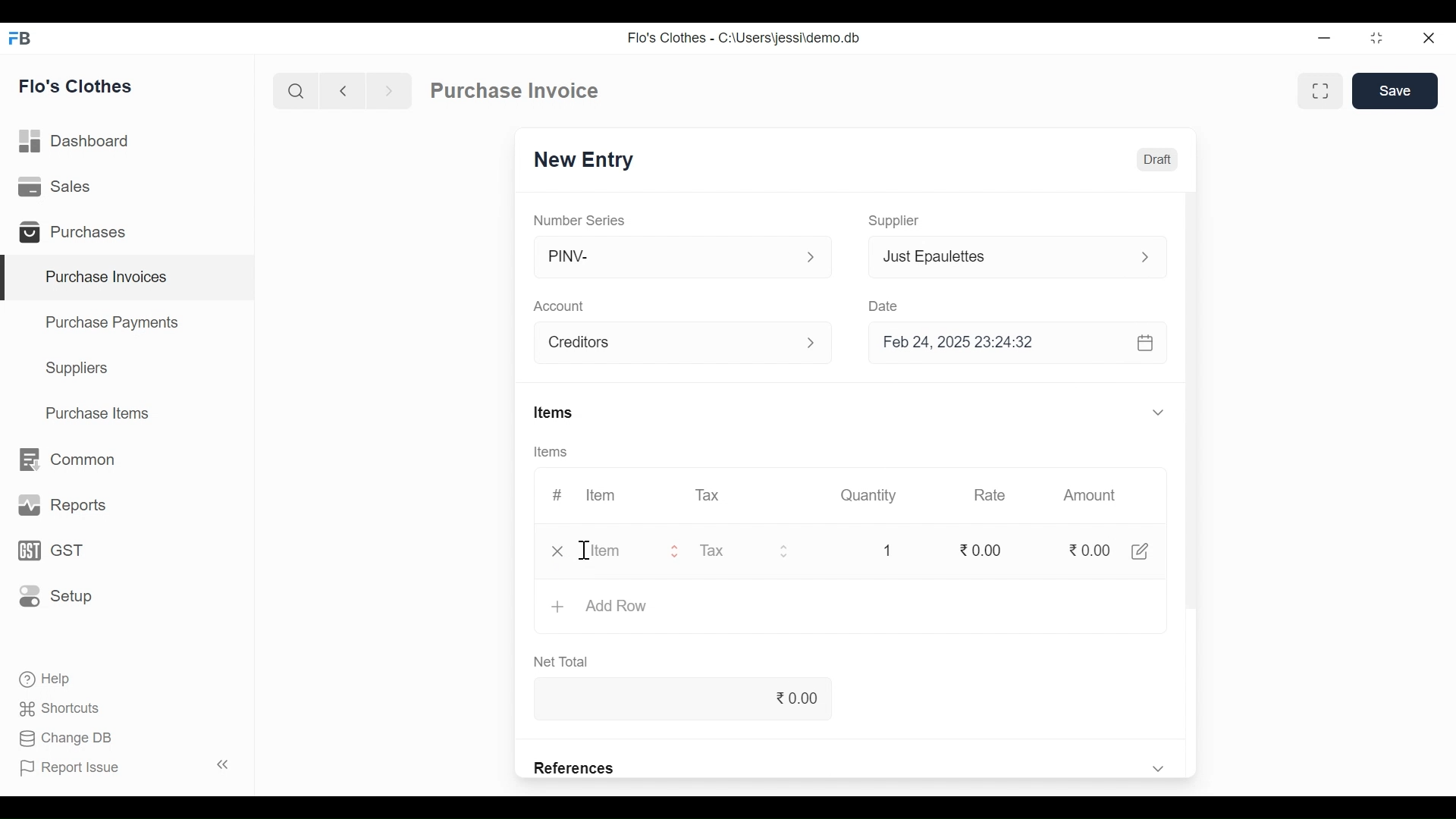 The width and height of the screenshot is (1456, 819). What do you see at coordinates (1158, 767) in the screenshot?
I see `Expand` at bounding box center [1158, 767].